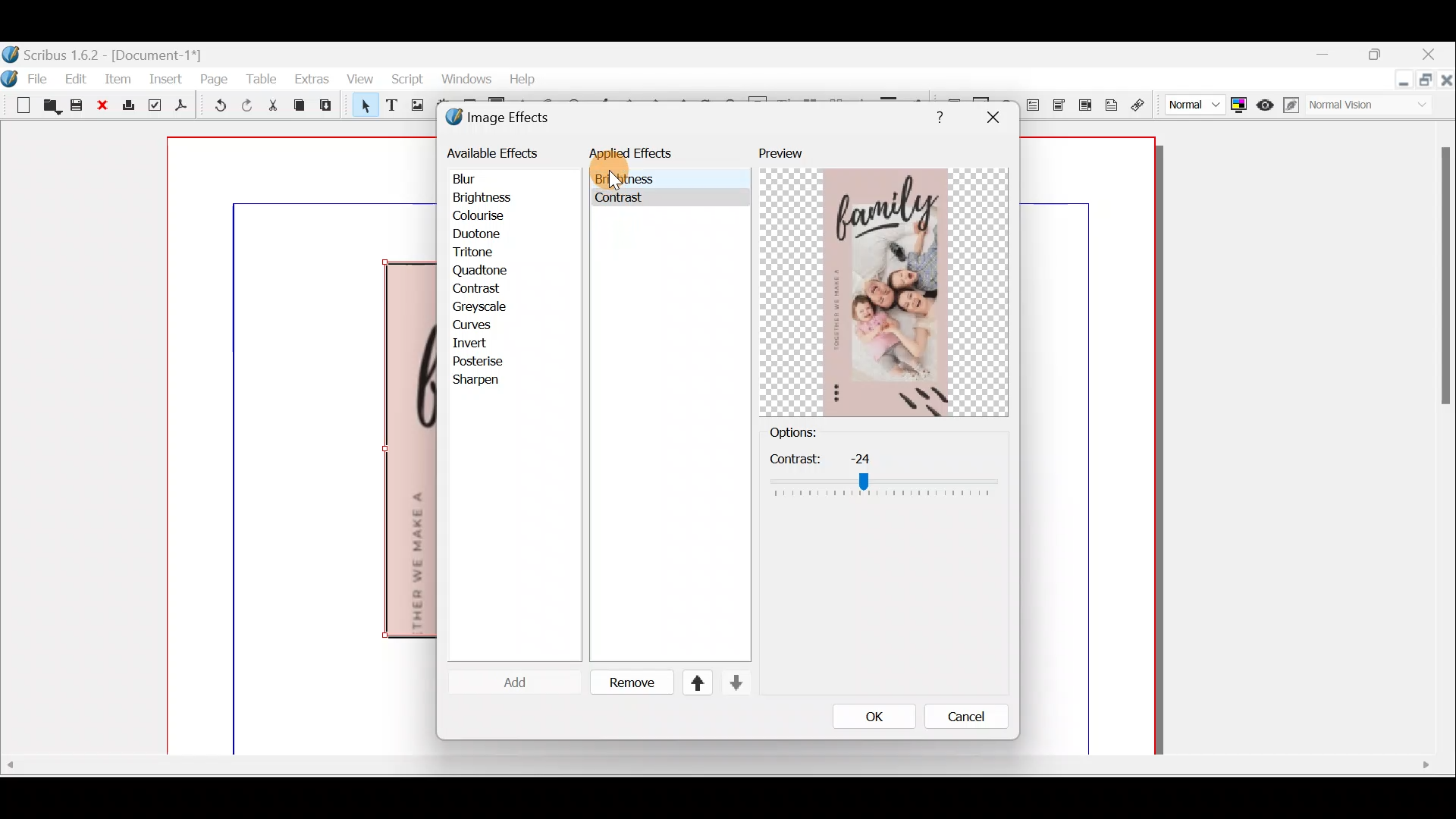 The width and height of the screenshot is (1456, 819). Describe the element at coordinates (1293, 105) in the screenshot. I see `Edit in preview mode` at that location.